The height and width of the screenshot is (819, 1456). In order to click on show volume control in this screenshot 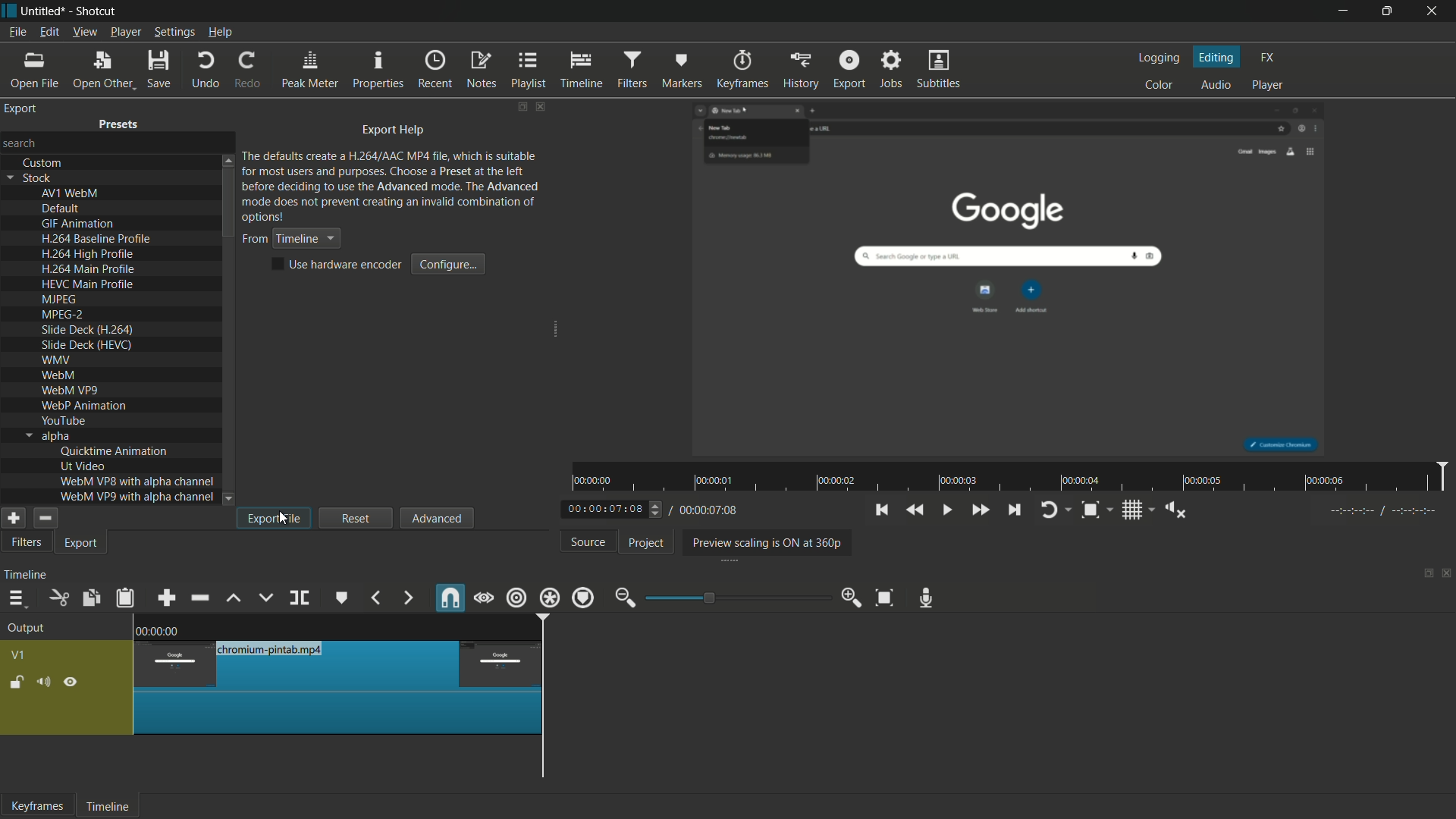, I will do `click(1181, 510)`.